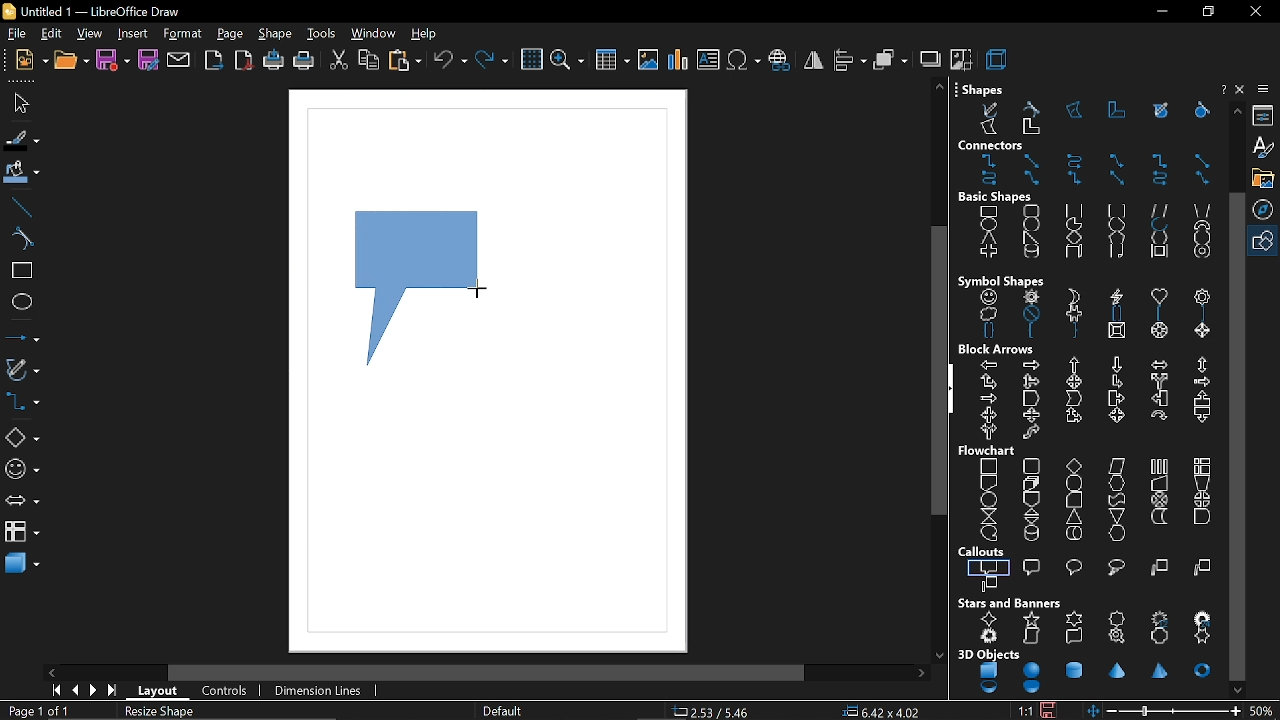 The image size is (1280, 720). I want to click on crop, so click(960, 60).